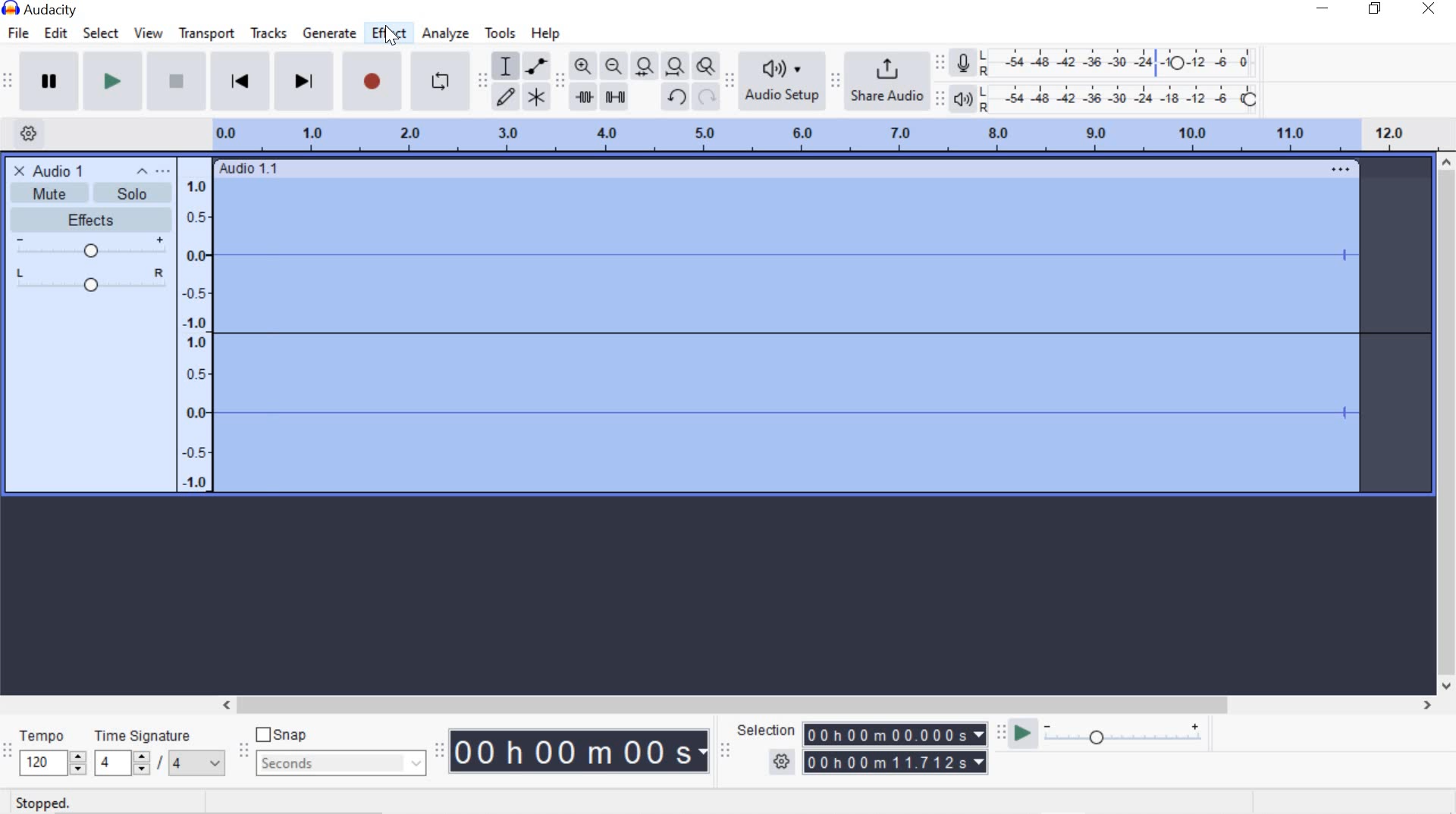  Describe the element at coordinates (113, 83) in the screenshot. I see `Play` at that location.